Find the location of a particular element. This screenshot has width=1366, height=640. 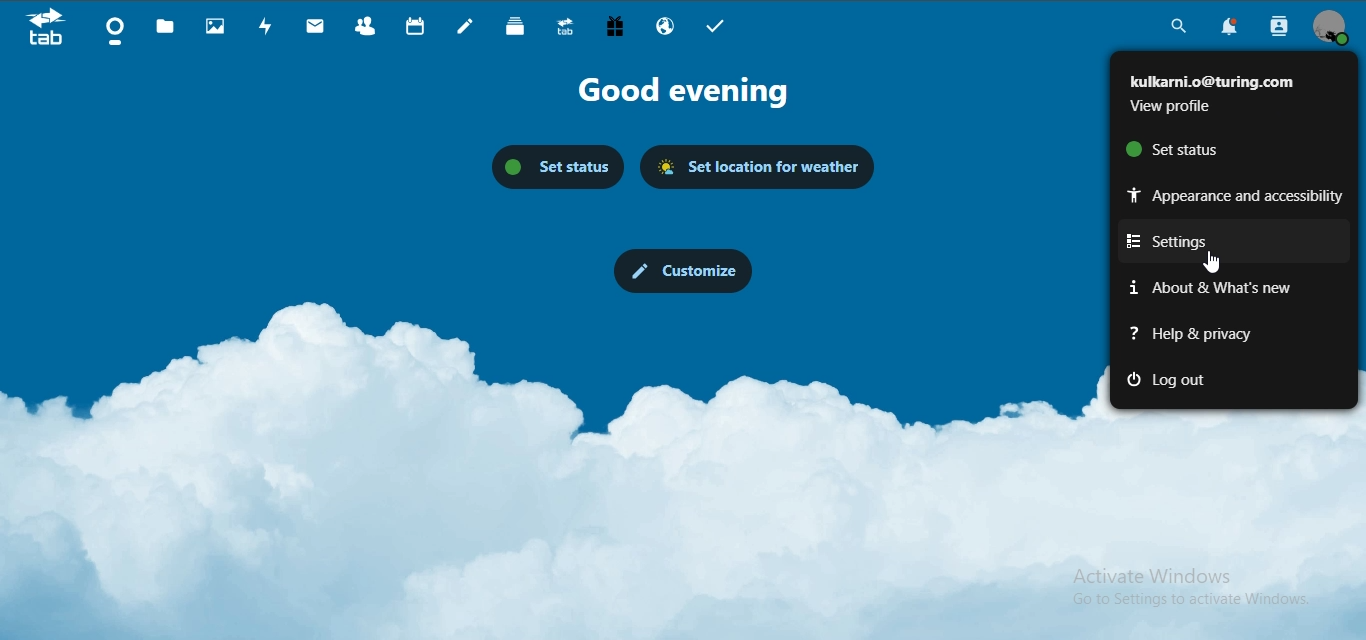

tasks is located at coordinates (723, 28).